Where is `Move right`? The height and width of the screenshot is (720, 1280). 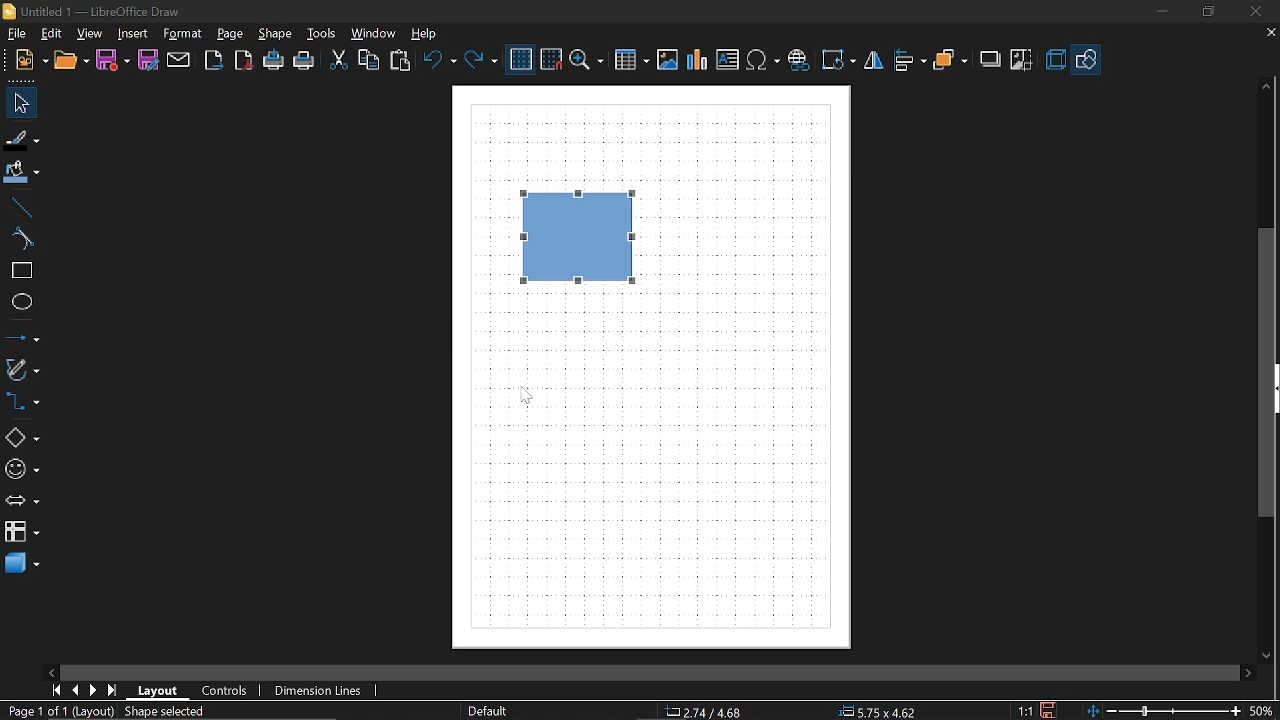
Move right is located at coordinates (1250, 672).